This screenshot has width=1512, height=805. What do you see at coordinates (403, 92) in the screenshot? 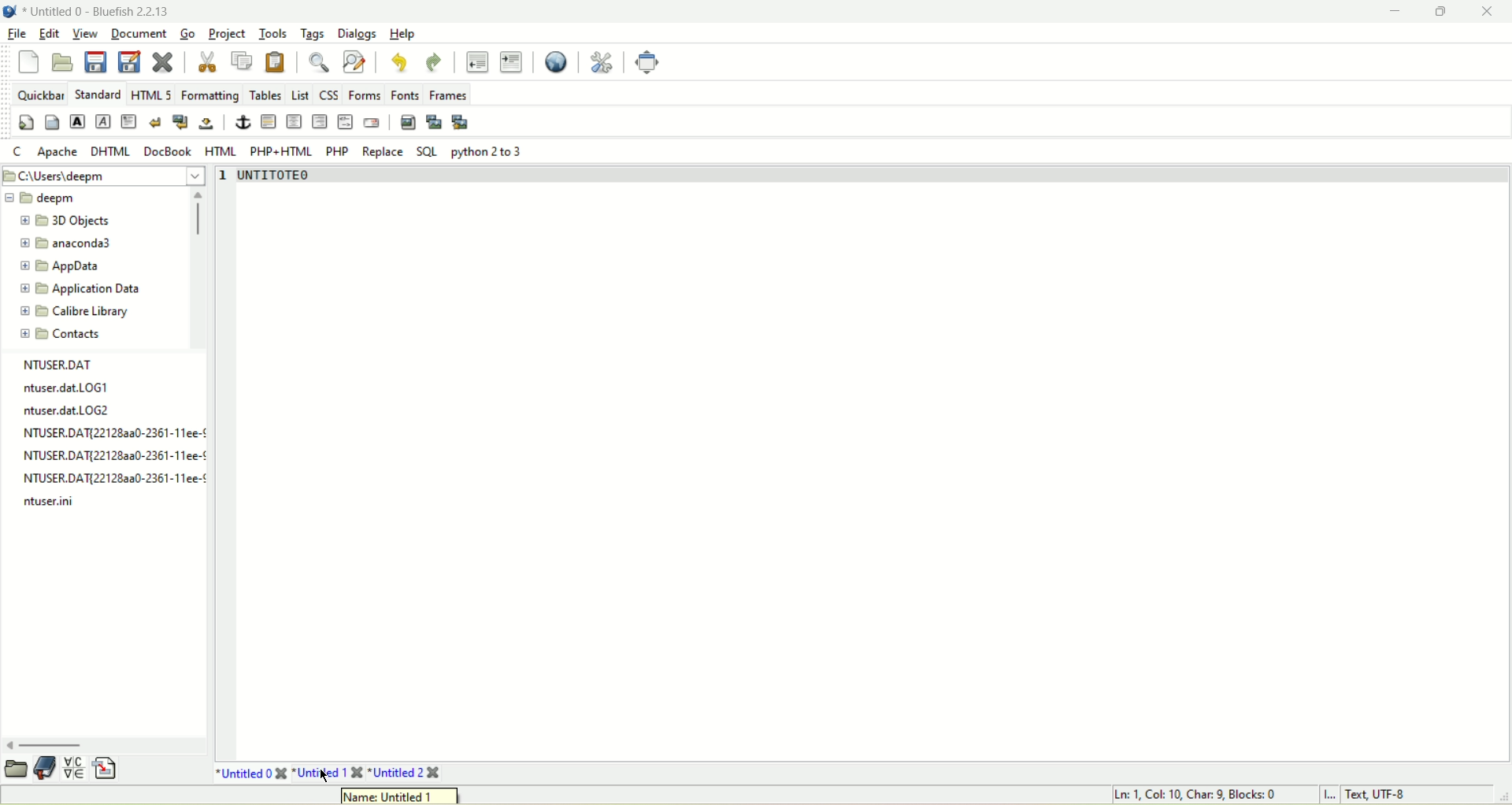
I see `Fonts ` at bounding box center [403, 92].